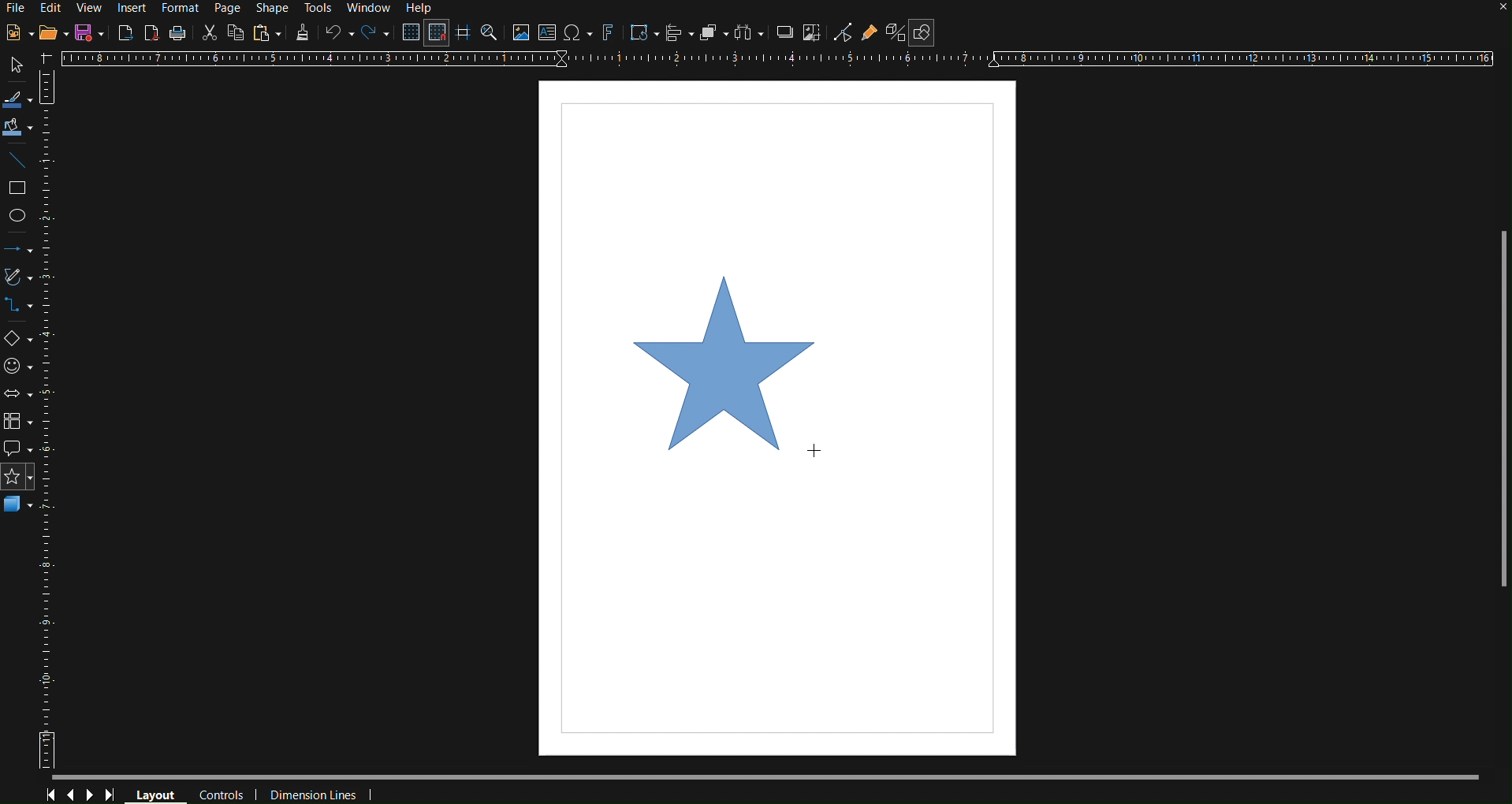 This screenshot has height=804, width=1512. What do you see at coordinates (337, 34) in the screenshot?
I see `Undo` at bounding box center [337, 34].